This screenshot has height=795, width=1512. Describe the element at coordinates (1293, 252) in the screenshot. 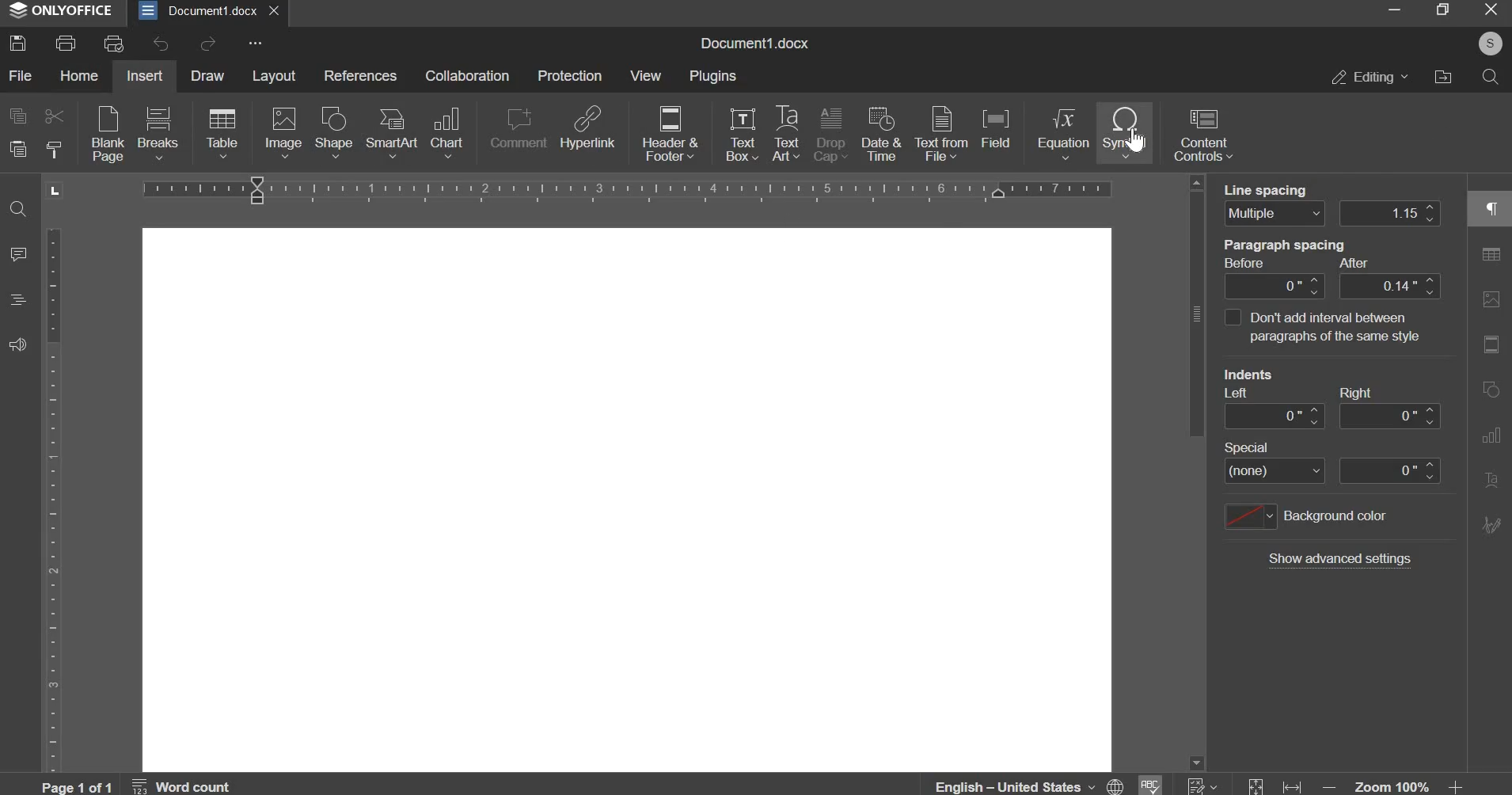

I see `paragraph spacing` at that location.